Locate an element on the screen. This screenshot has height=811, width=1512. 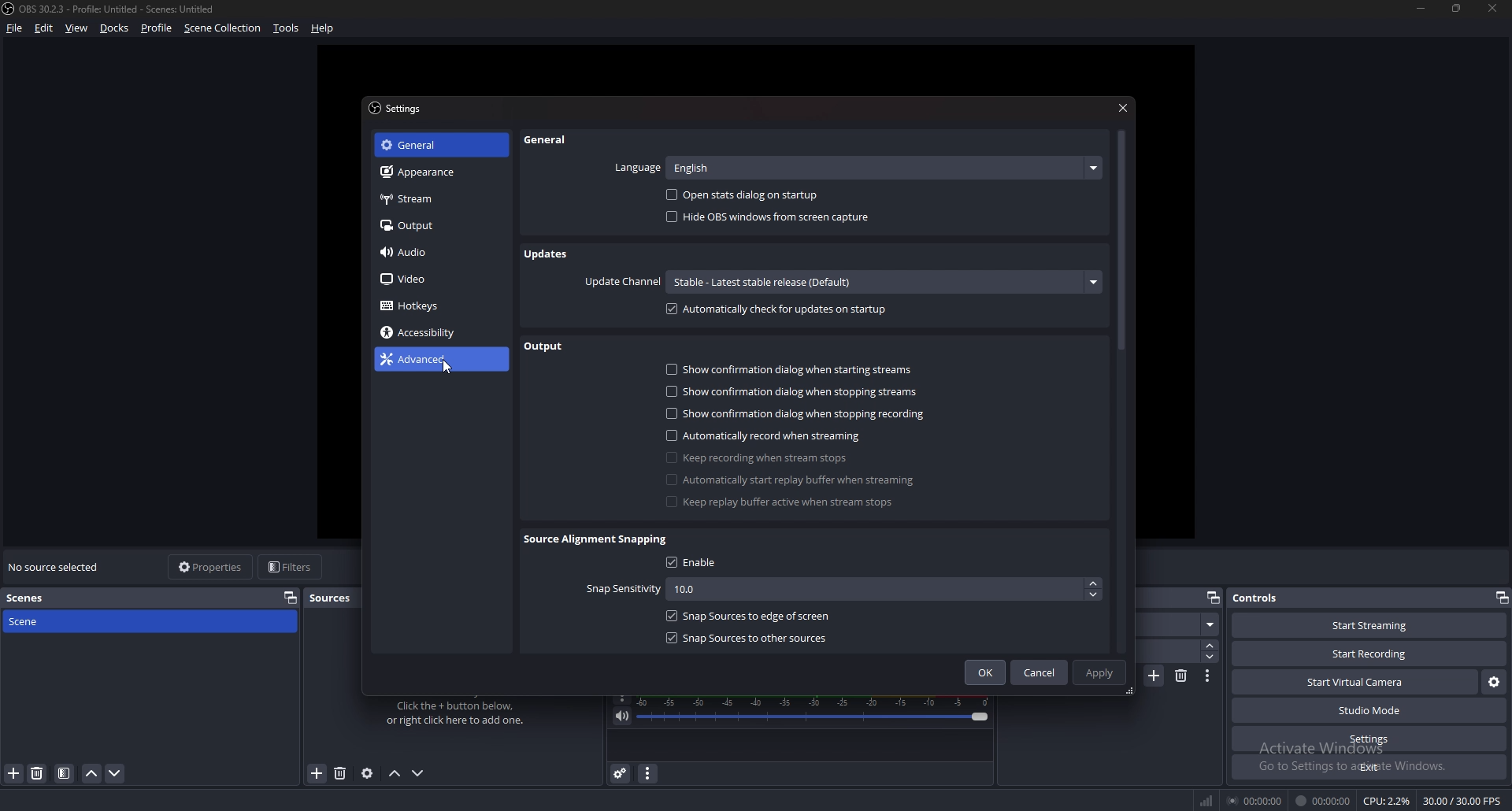
Accessibility is located at coordinates (427, 333).